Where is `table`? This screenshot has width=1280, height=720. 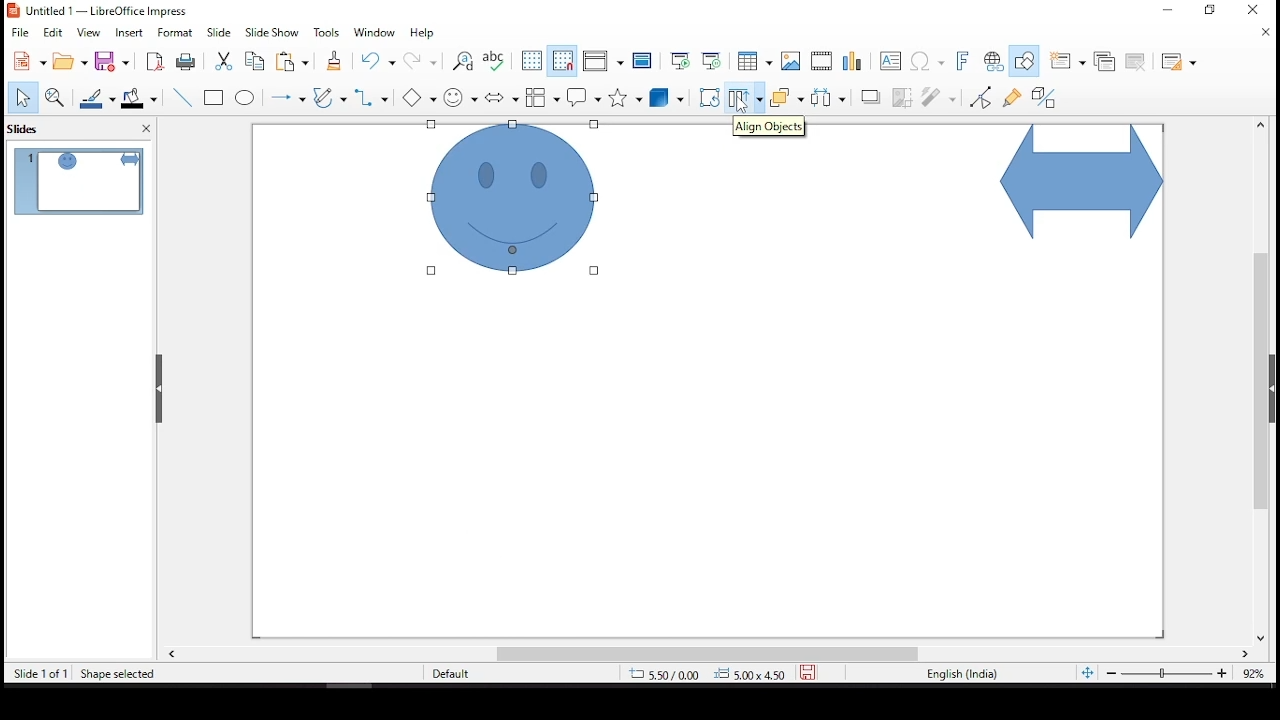 table is located at coordinates (752, 61).